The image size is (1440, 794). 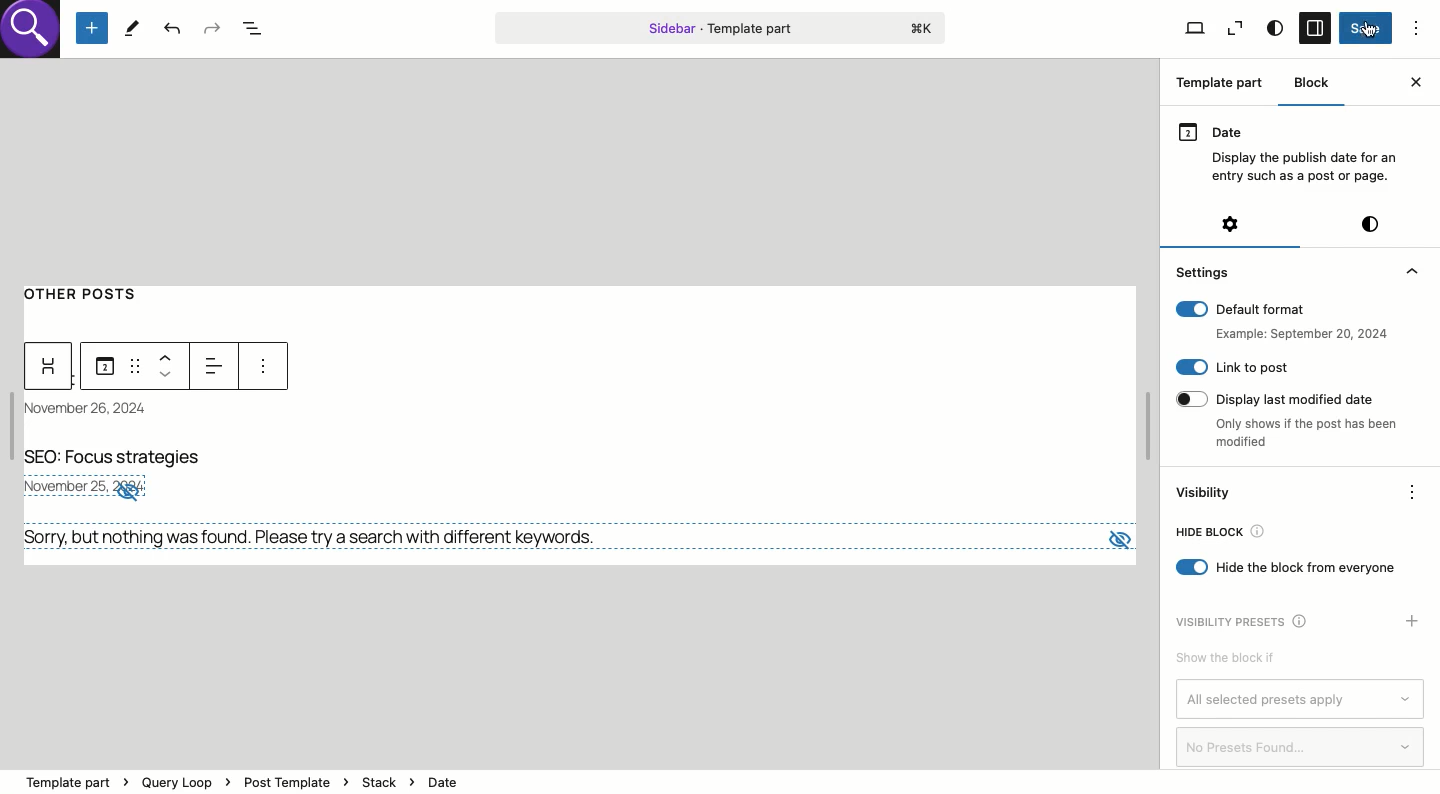 What do you see at coordinates (1415, 82) in the screenshot?
I see `Close` at bounding box center [1415, 82].